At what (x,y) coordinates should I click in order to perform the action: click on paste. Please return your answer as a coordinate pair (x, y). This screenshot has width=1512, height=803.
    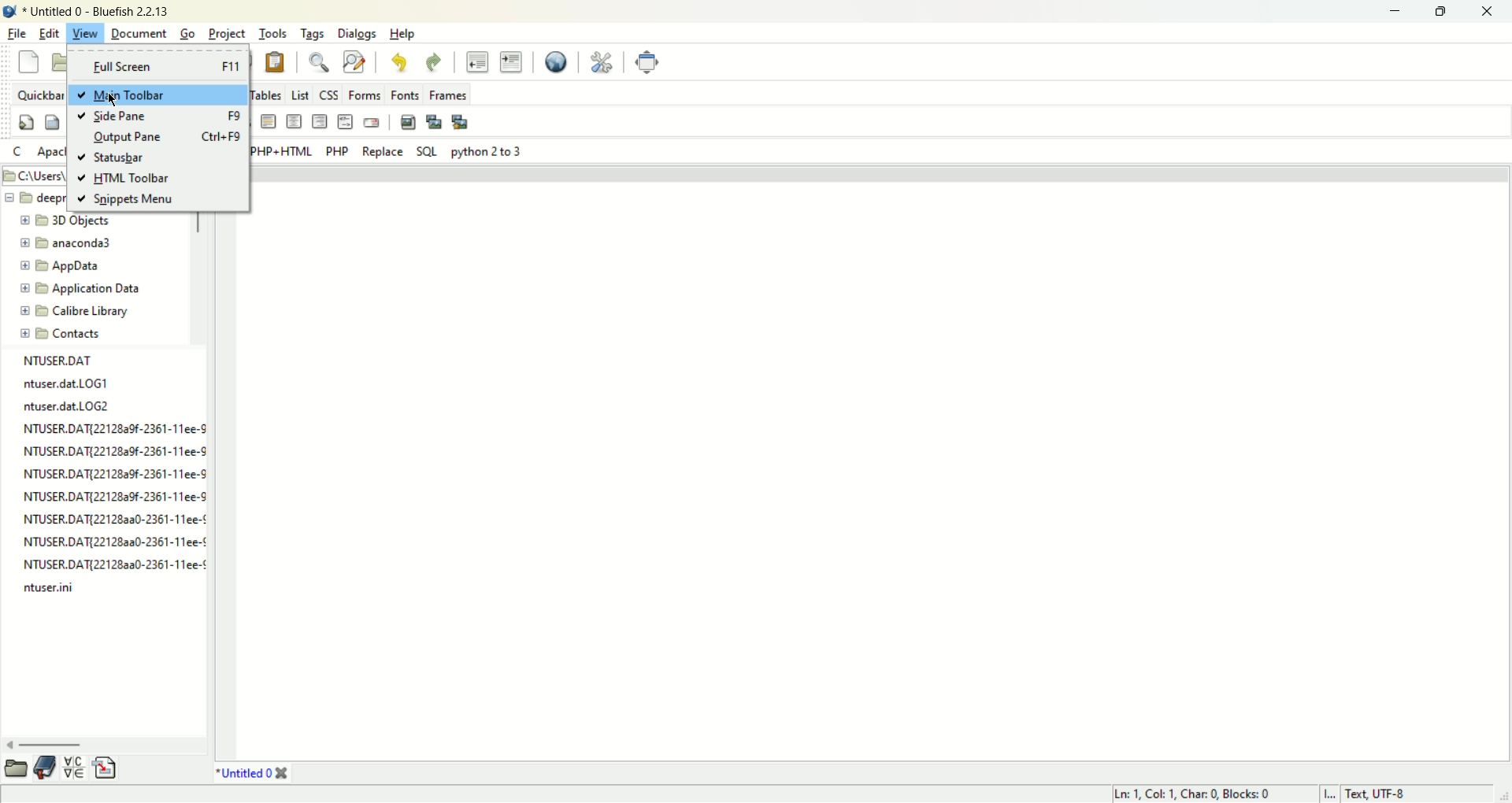
    Looking at the image, I should click on (276, 61).